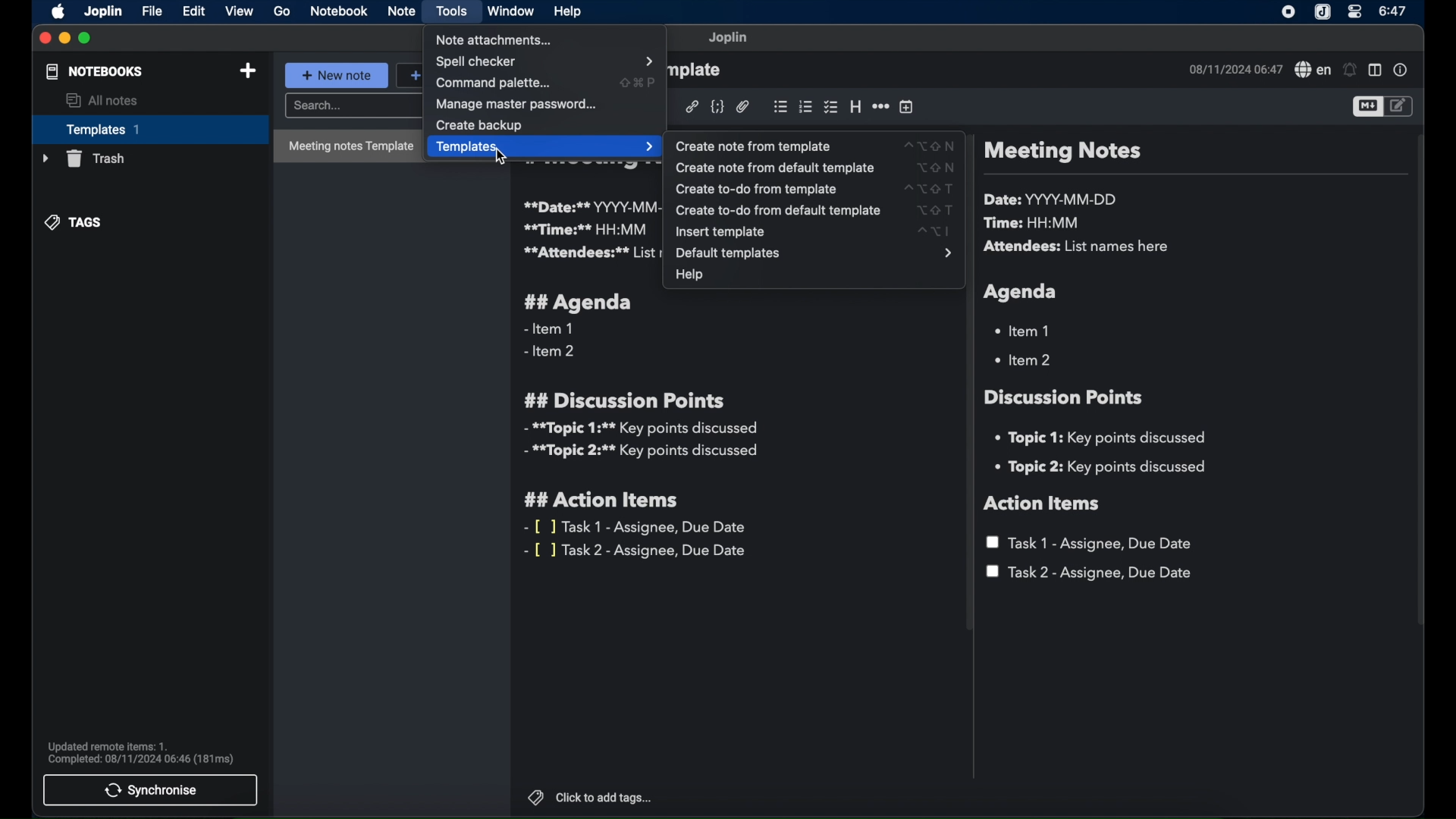 The image size is (1456, 819). I want to click on tags, so click(75, 222).